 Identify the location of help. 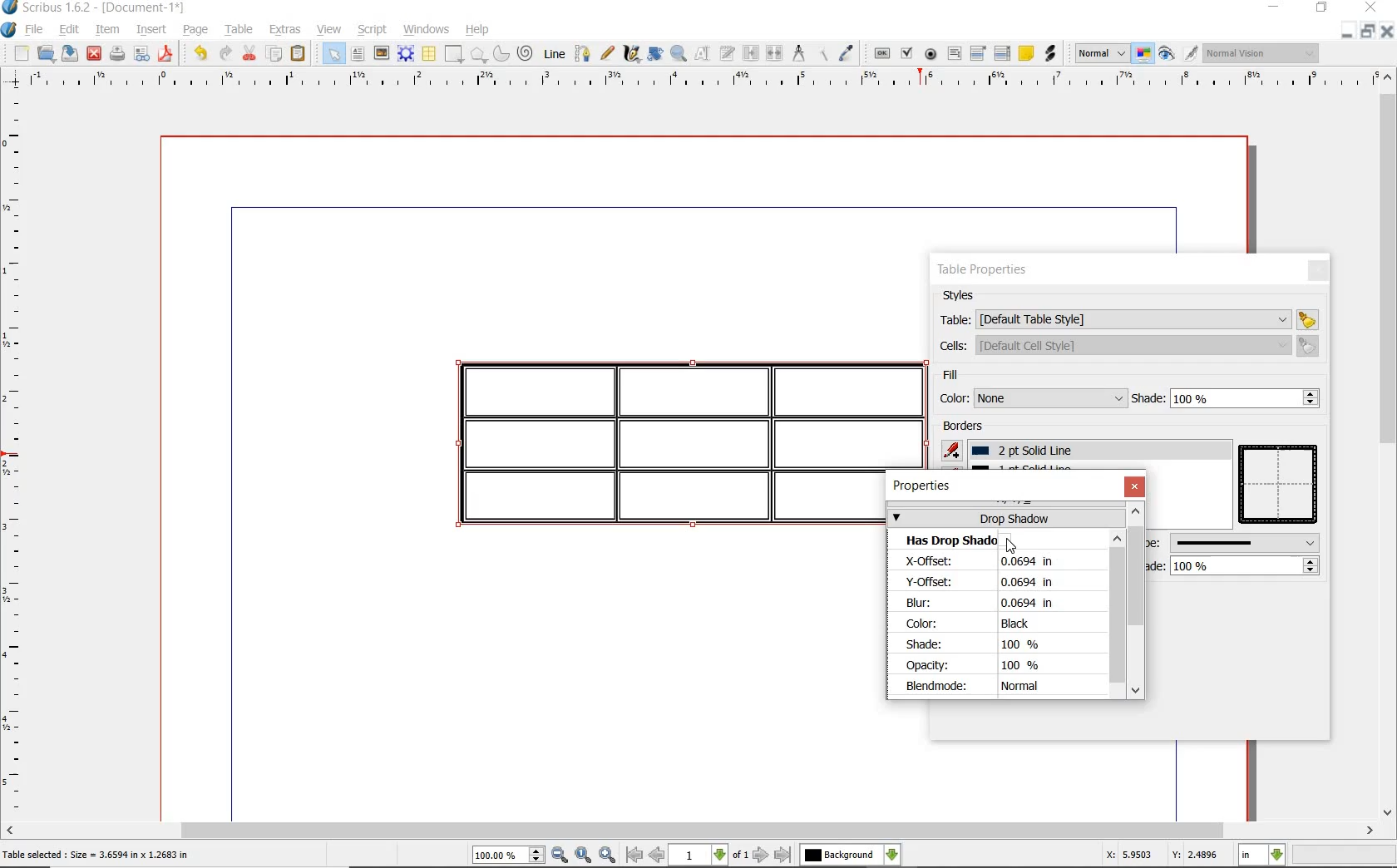
(476, 31).